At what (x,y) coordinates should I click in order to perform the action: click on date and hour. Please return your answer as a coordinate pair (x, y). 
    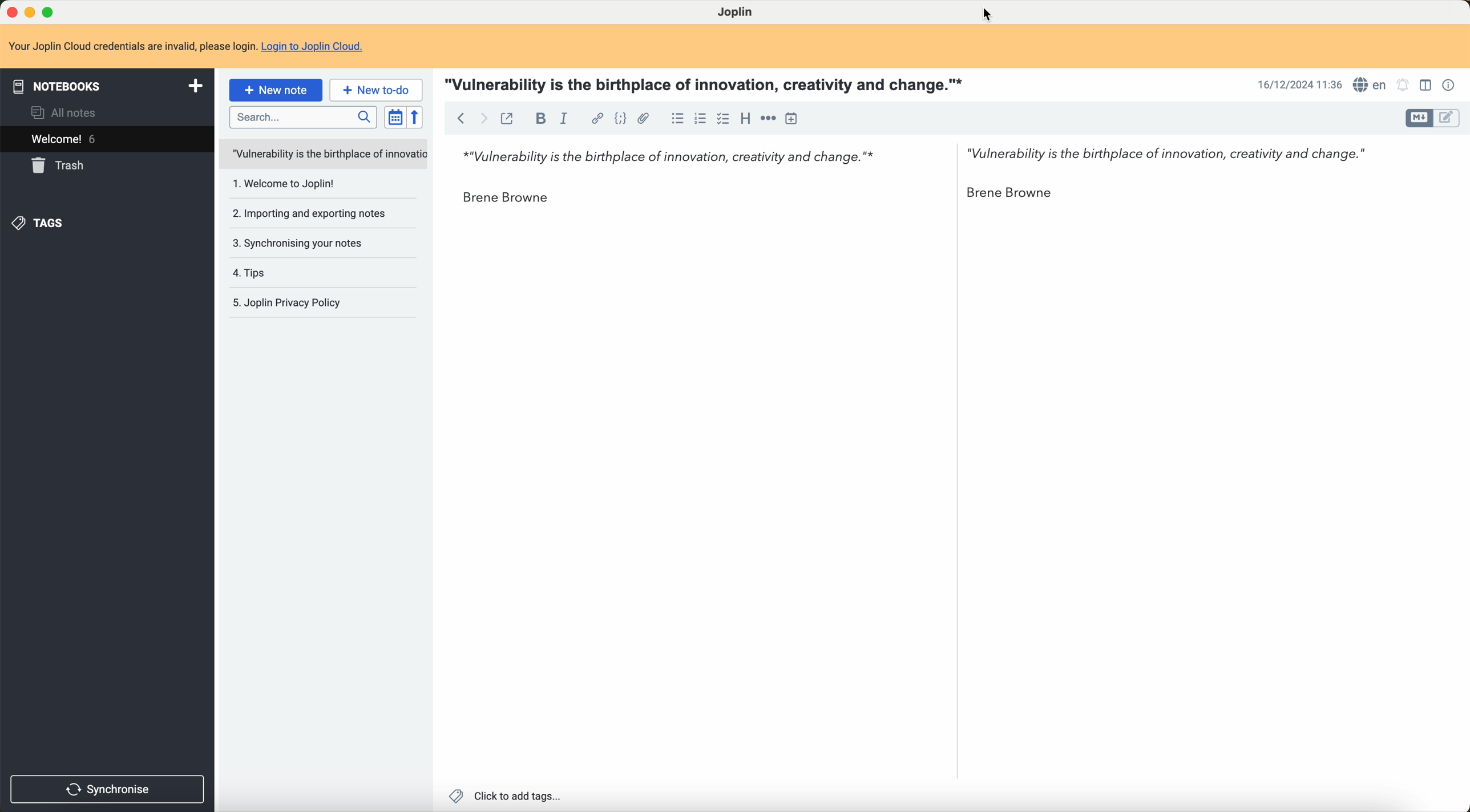
    Looking at the image, I should click on (1297, 84).